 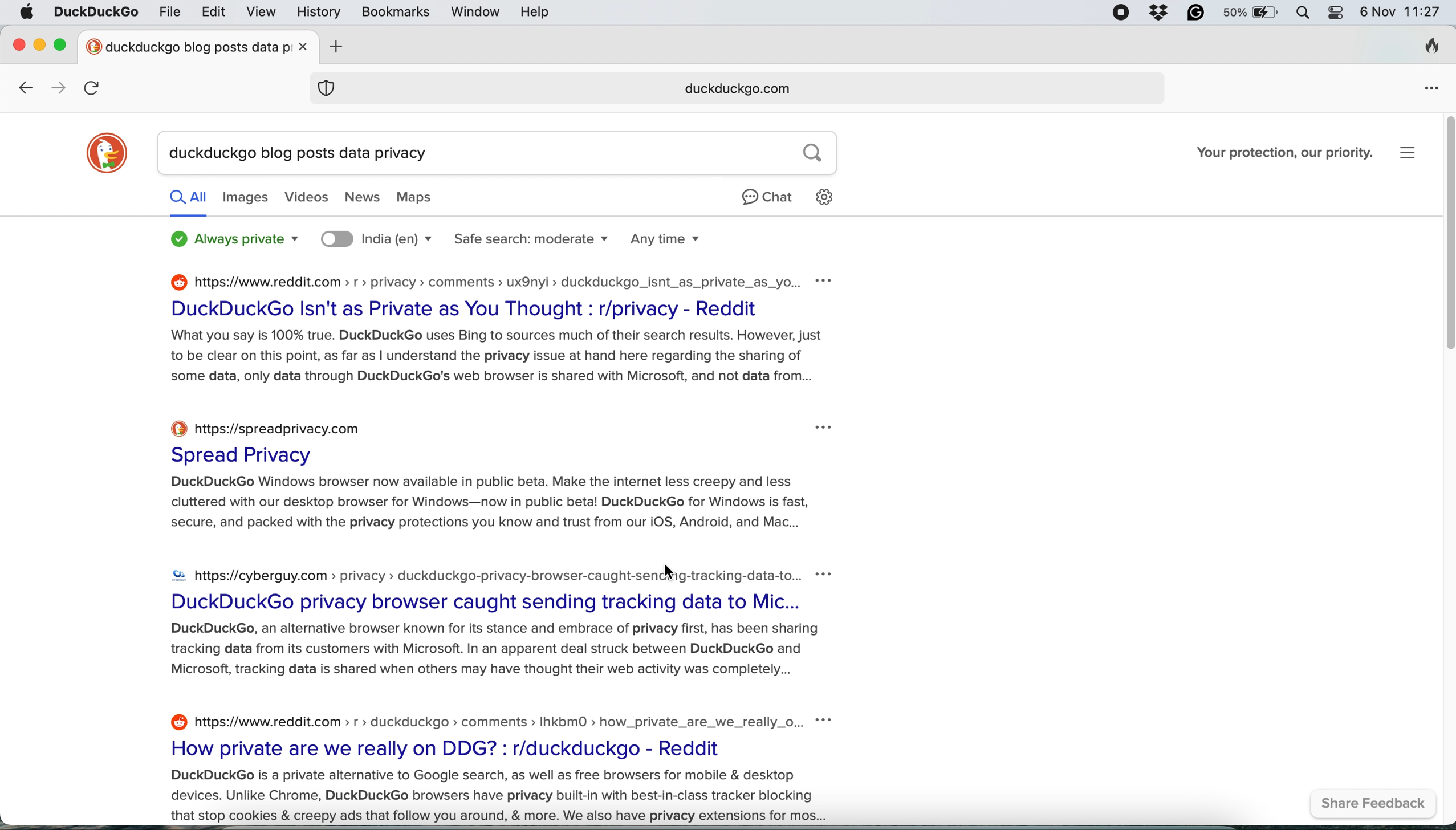 What do you see at coordinates (532, 238) in the screenshot?
I see `safe search` at bounding box center [532, 238].